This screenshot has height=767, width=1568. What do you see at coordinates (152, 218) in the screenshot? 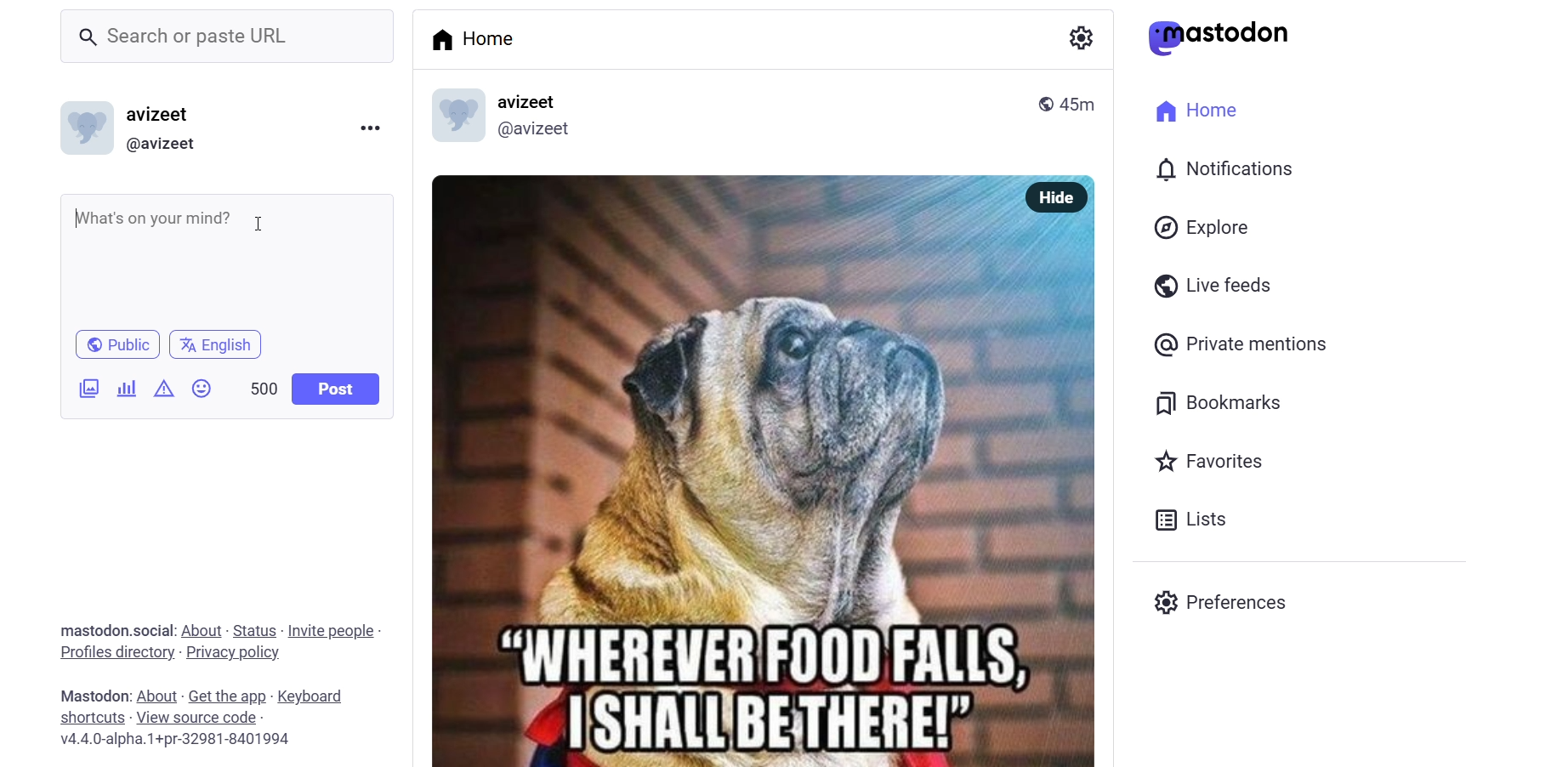
I see `What's on your mind?` at bounding box center [152, 218].